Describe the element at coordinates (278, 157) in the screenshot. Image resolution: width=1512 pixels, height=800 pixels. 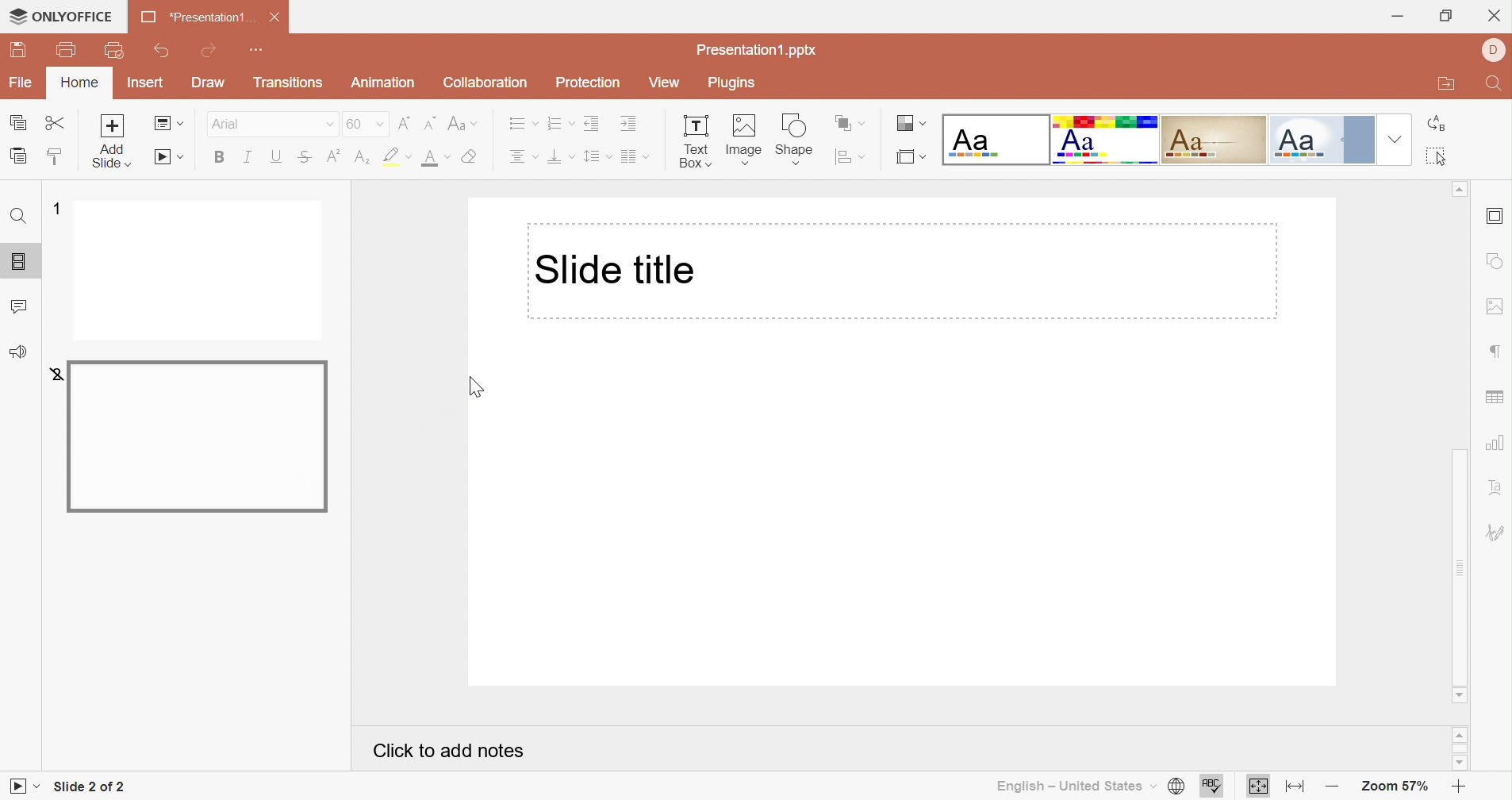
I see `Underline` at that location.